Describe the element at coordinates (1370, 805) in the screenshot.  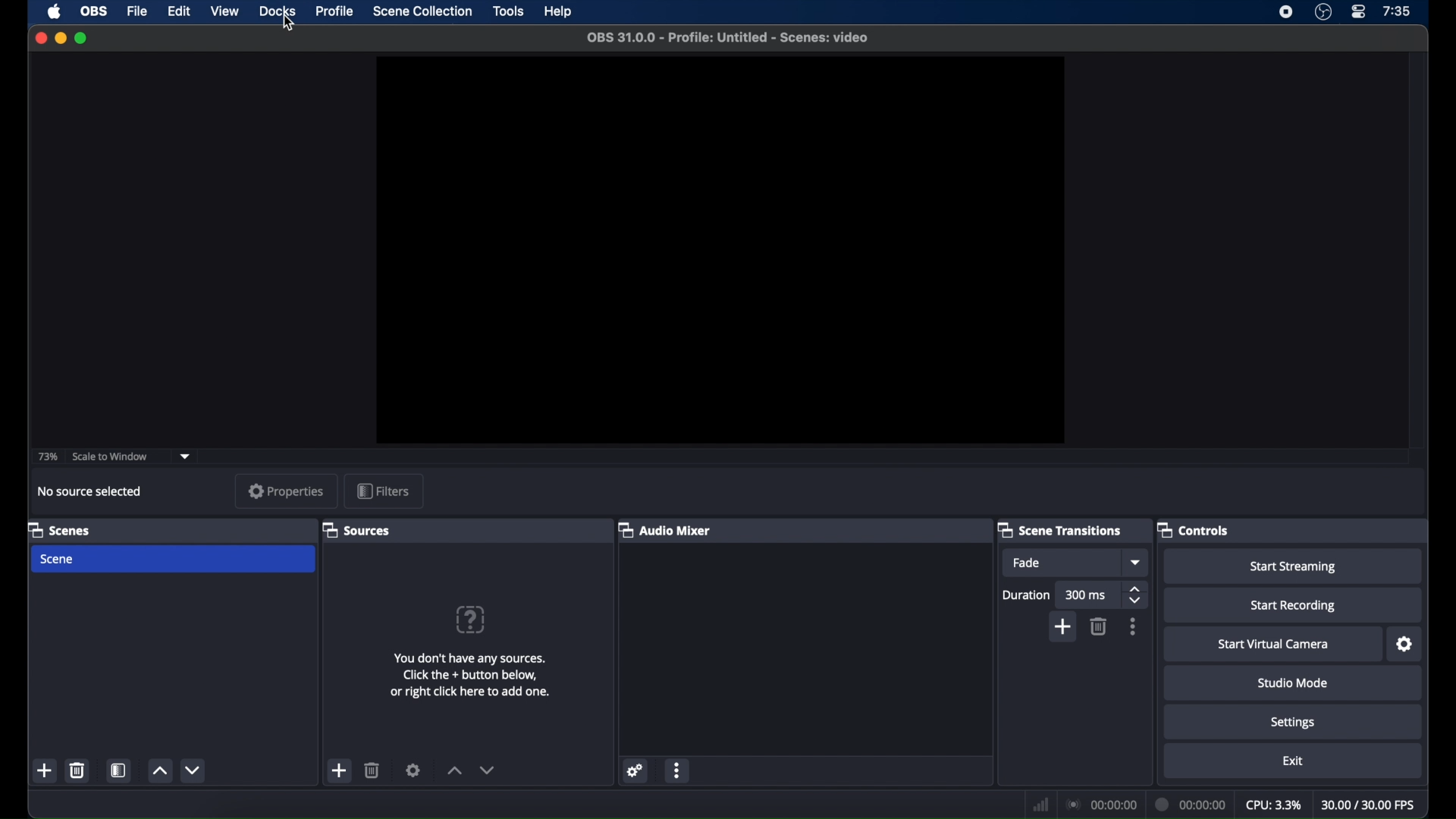
I see `fps` at that location.